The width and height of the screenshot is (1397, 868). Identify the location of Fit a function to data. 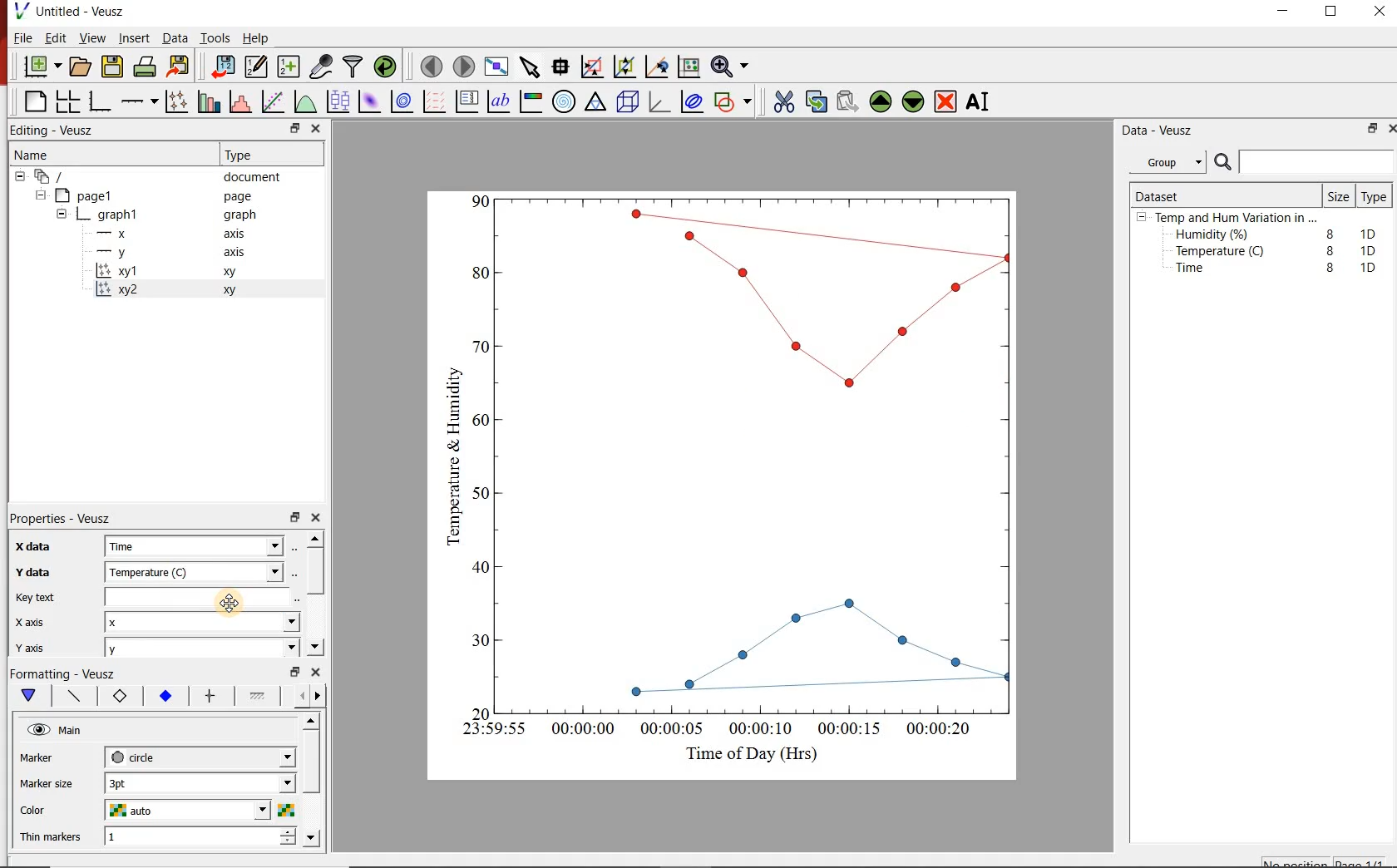
(274, 101).